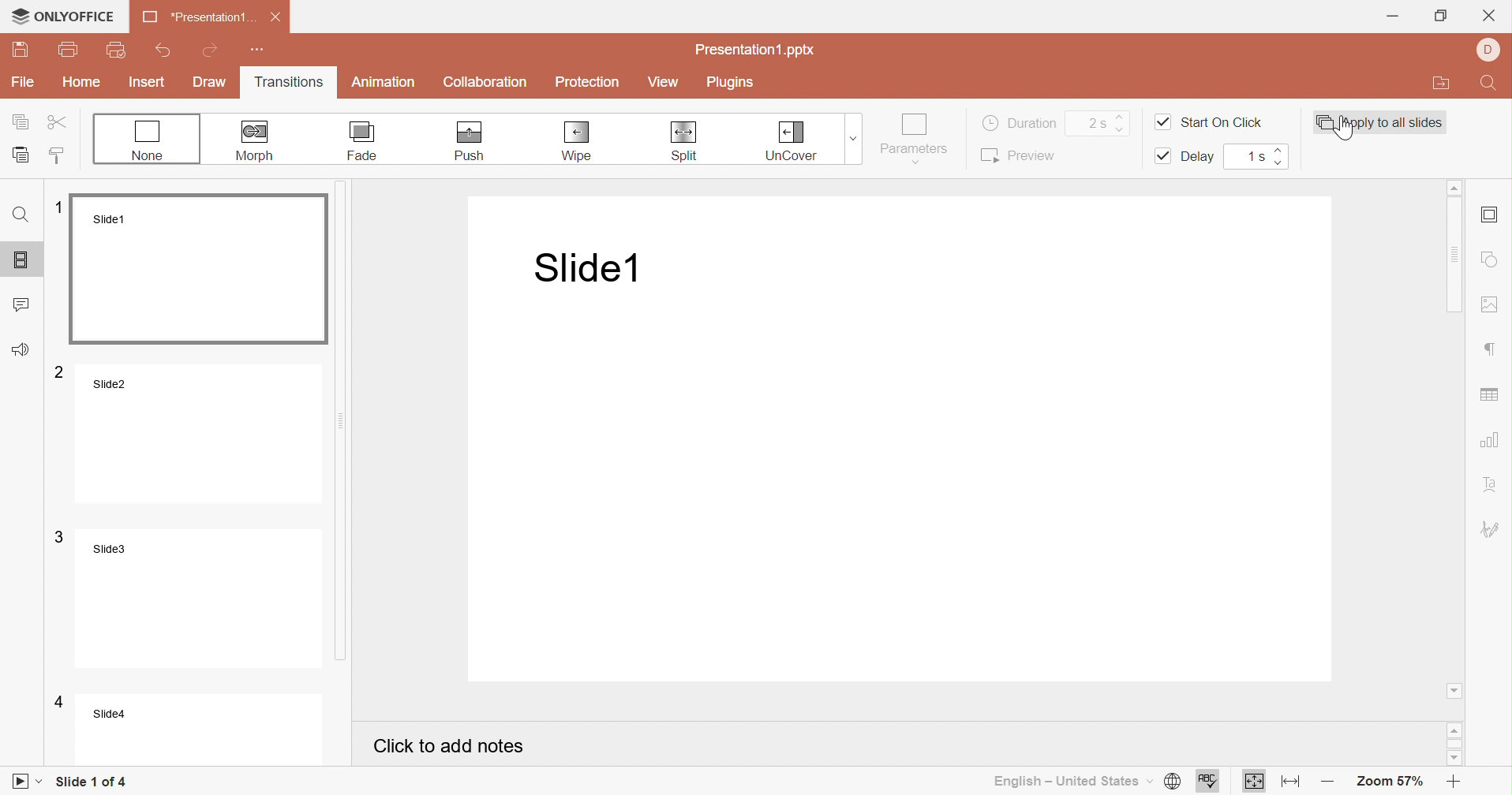 The image size is (1512, 795). Describe the element at coordinates (1458, 761) in the screenshot. I see `Scroll down` at that location.